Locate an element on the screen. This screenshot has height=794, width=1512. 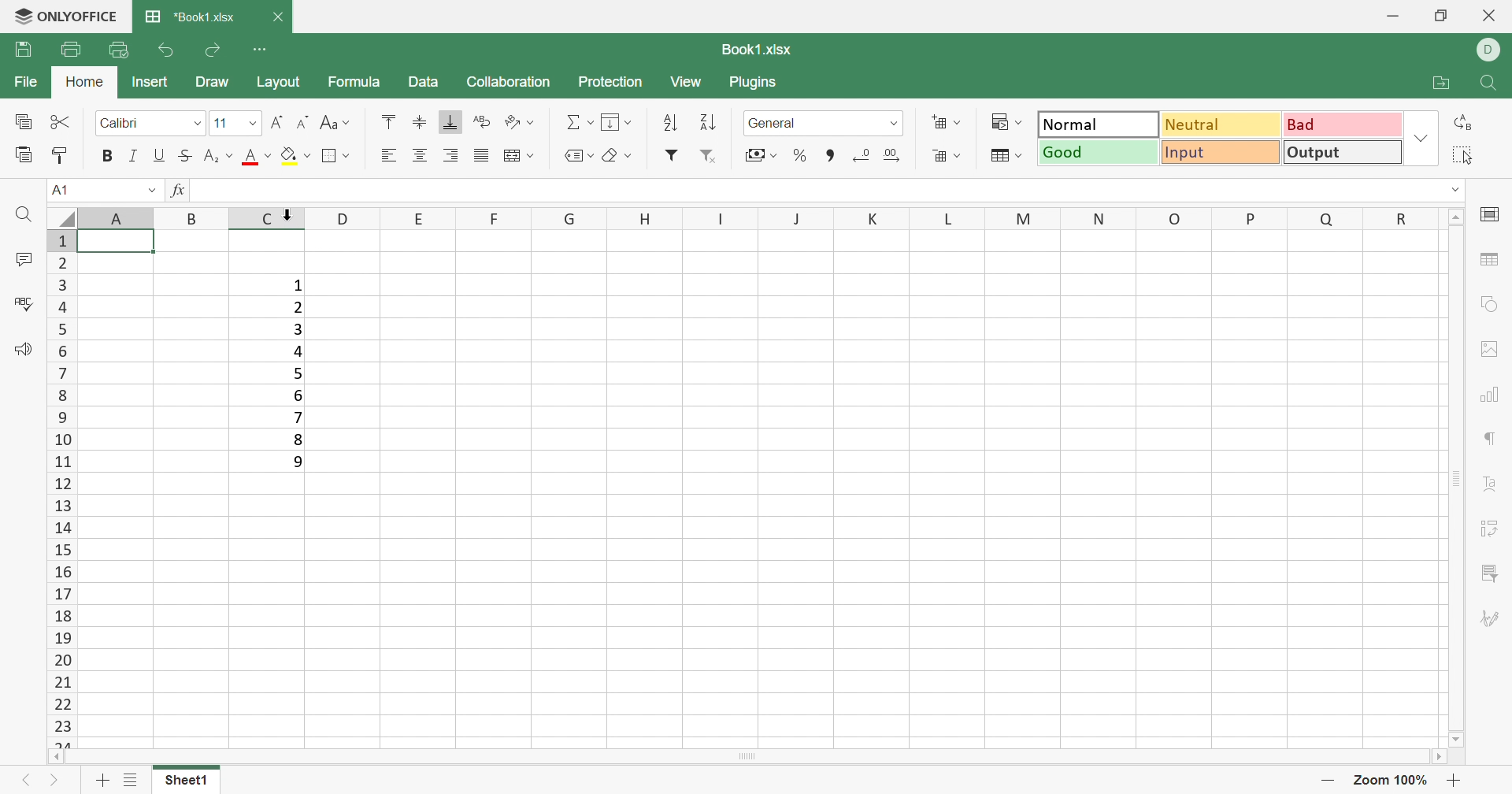
Calibri is located at coordinates (120, 123).